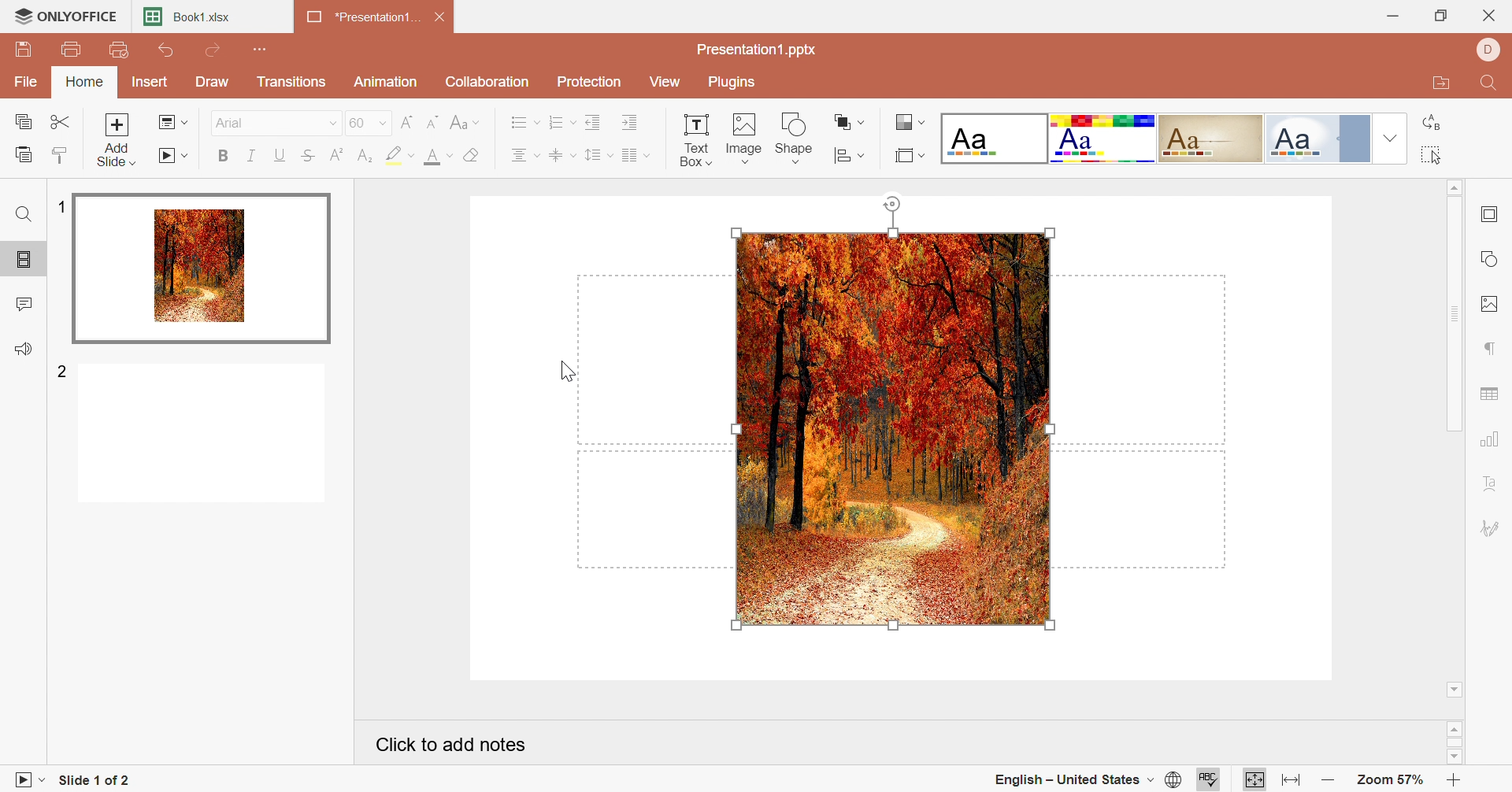  What do you see at coordinates (595, 120) in the screenshot?
I see `Decrease indent` at bounding box center [595, 120].